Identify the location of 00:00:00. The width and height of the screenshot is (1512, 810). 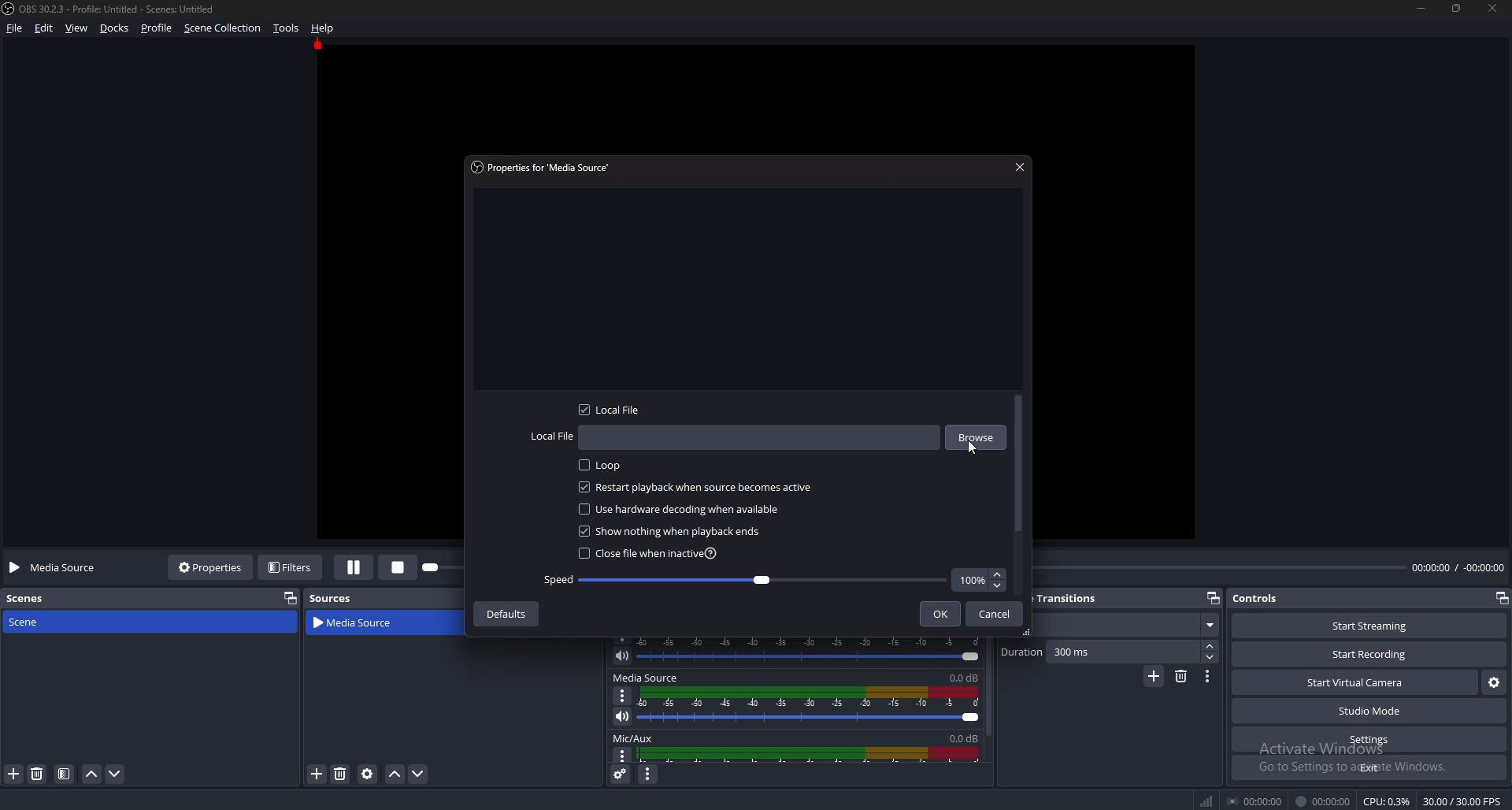
(1257, 801).